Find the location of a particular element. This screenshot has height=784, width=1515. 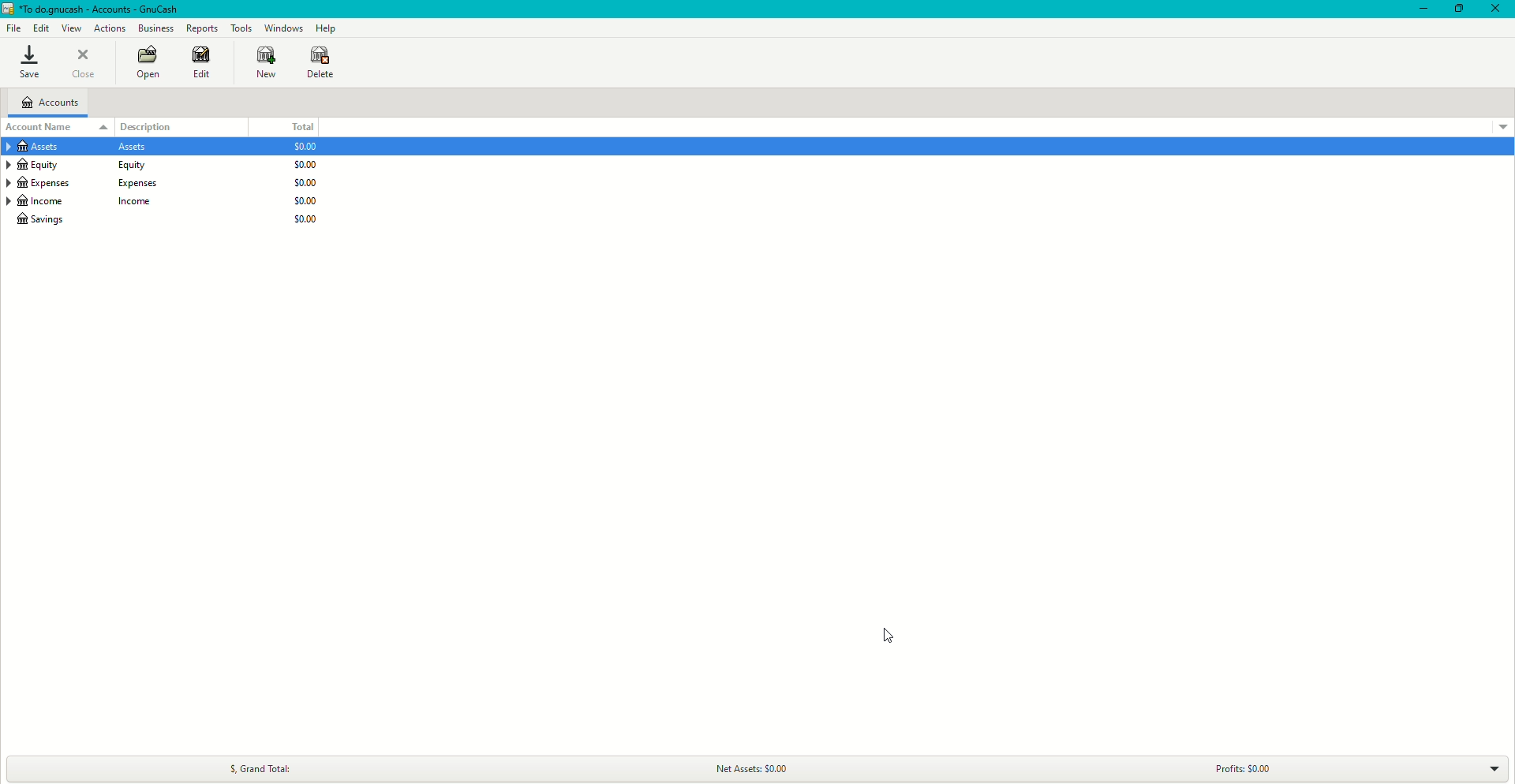

Cursor is located at coordinates (890, 633).